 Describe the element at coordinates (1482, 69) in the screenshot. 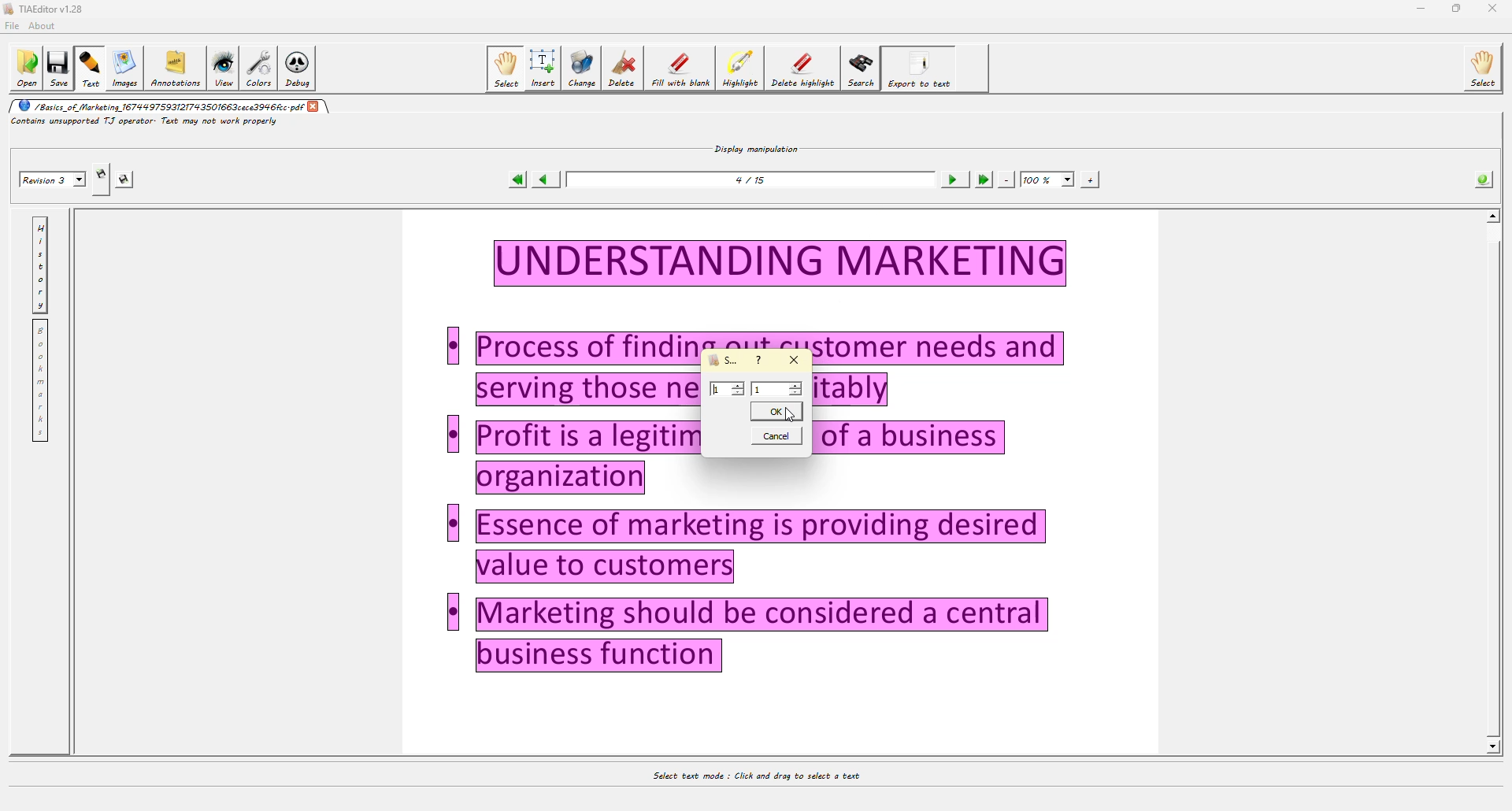

I see `select` at that location.